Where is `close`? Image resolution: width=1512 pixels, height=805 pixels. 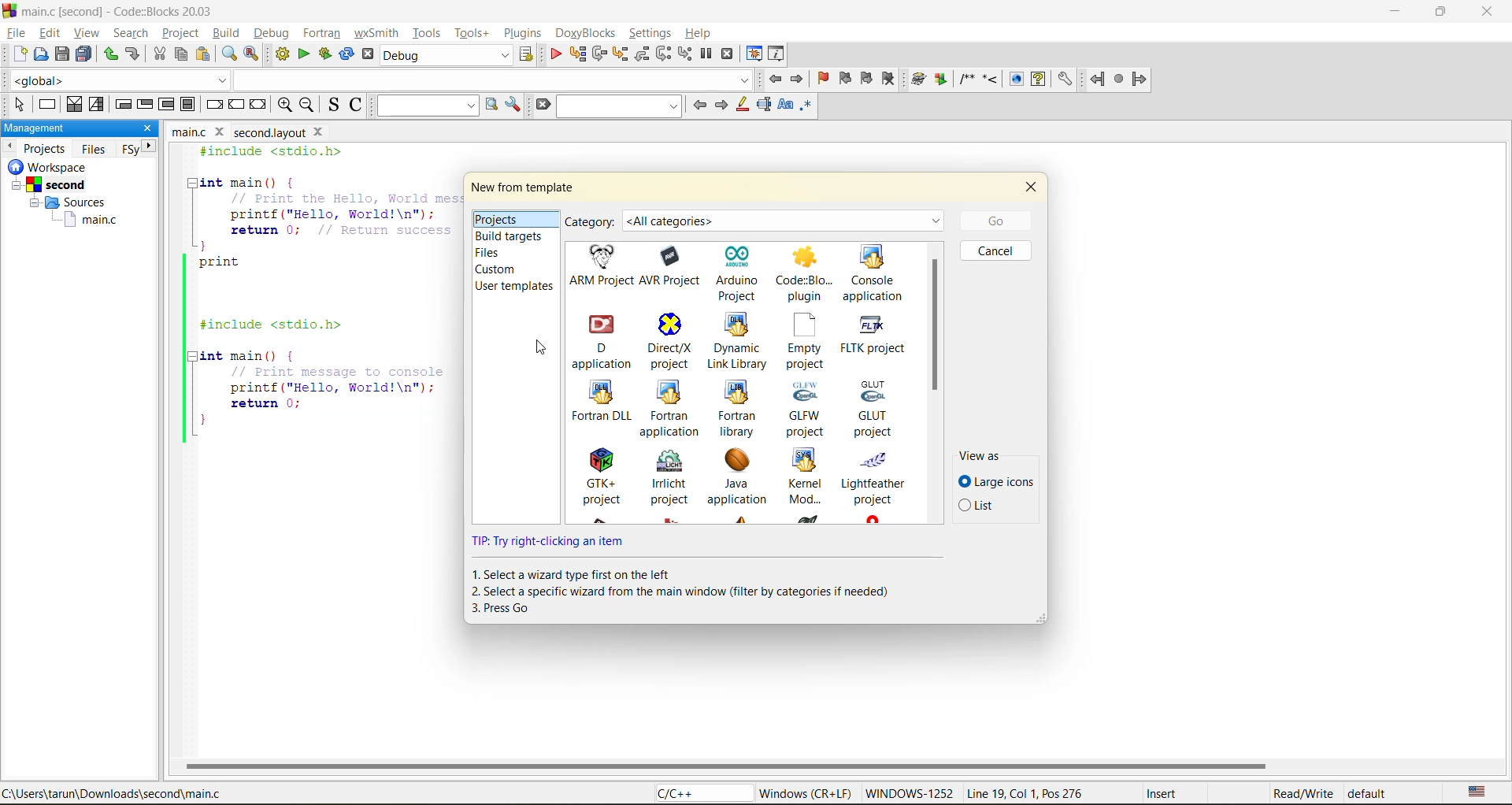 close is located at coordinates (146, 128).